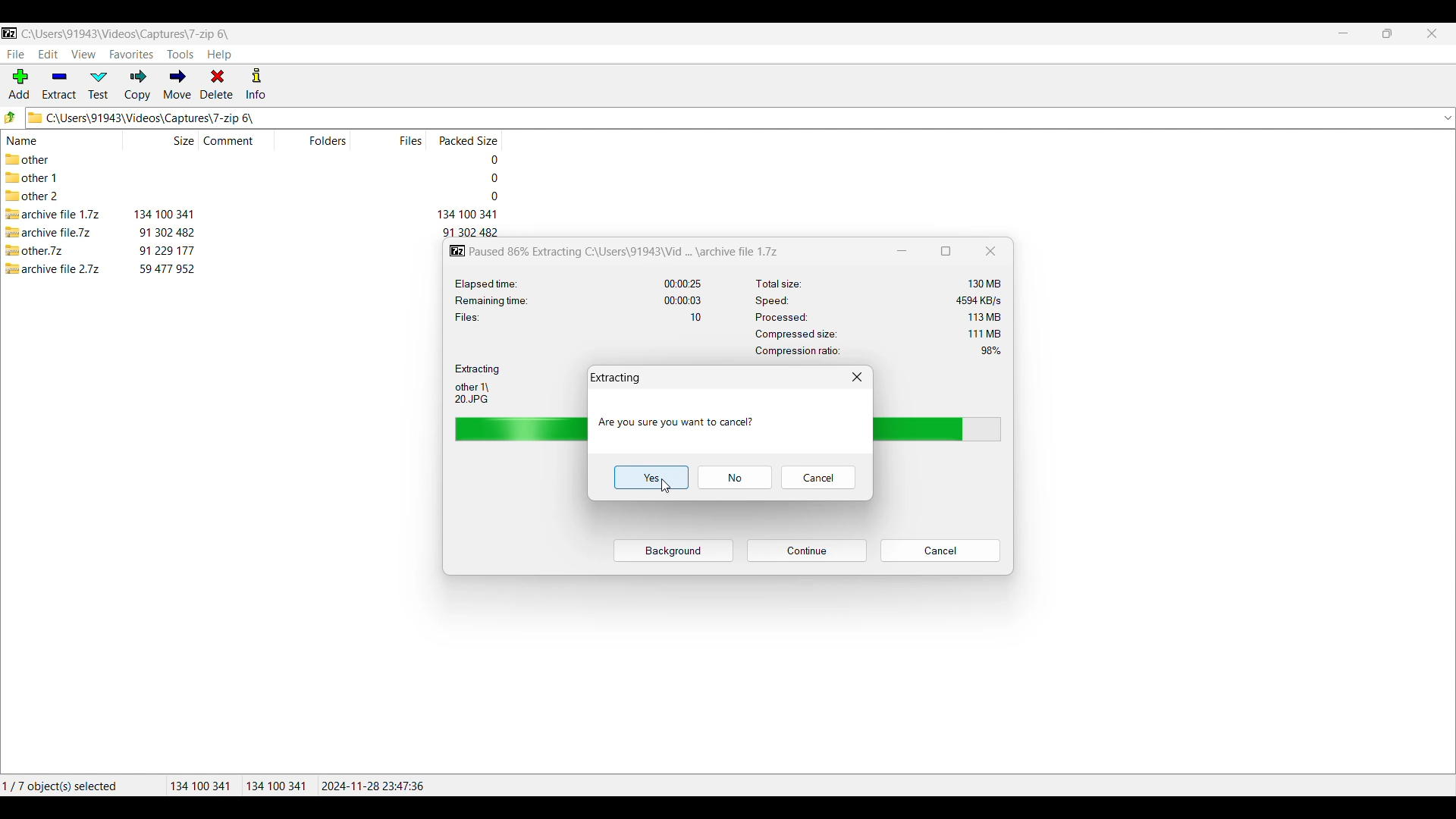 The height and width of the screenshot is (819, 1456). I want to click on Cancel, so click(735, 478).